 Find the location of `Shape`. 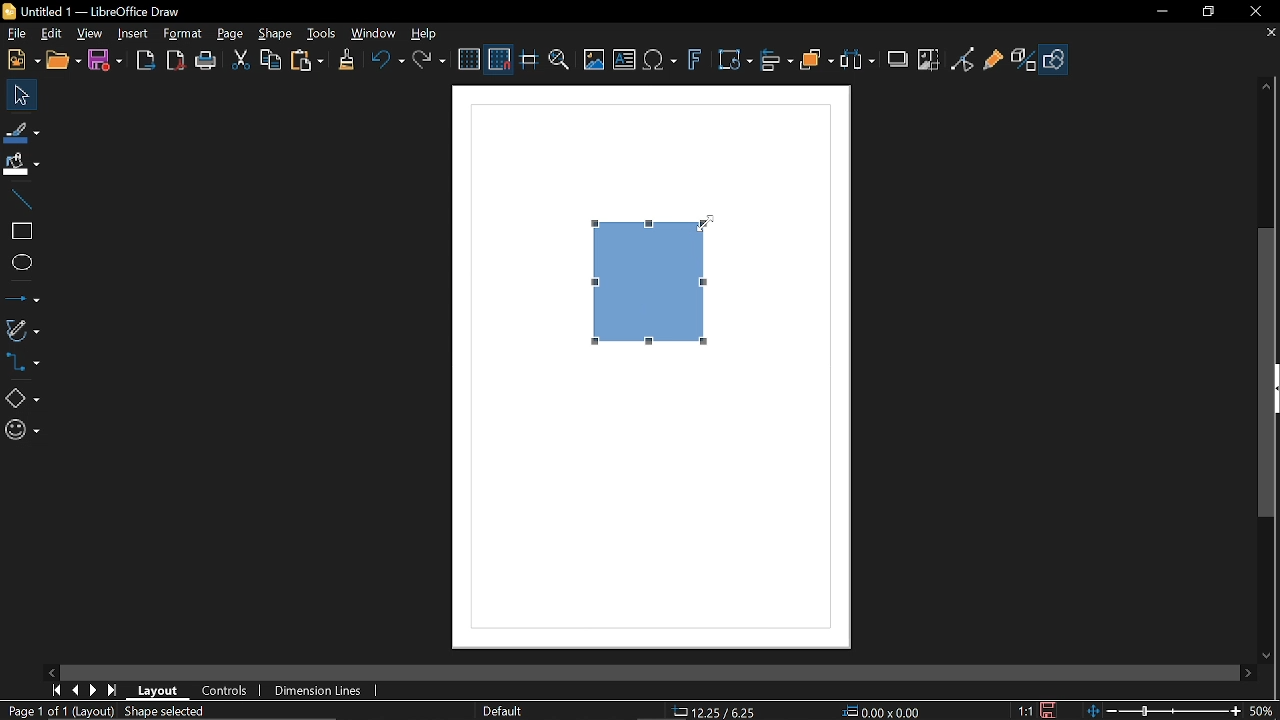

Shape is located at coordinates (274, 36).